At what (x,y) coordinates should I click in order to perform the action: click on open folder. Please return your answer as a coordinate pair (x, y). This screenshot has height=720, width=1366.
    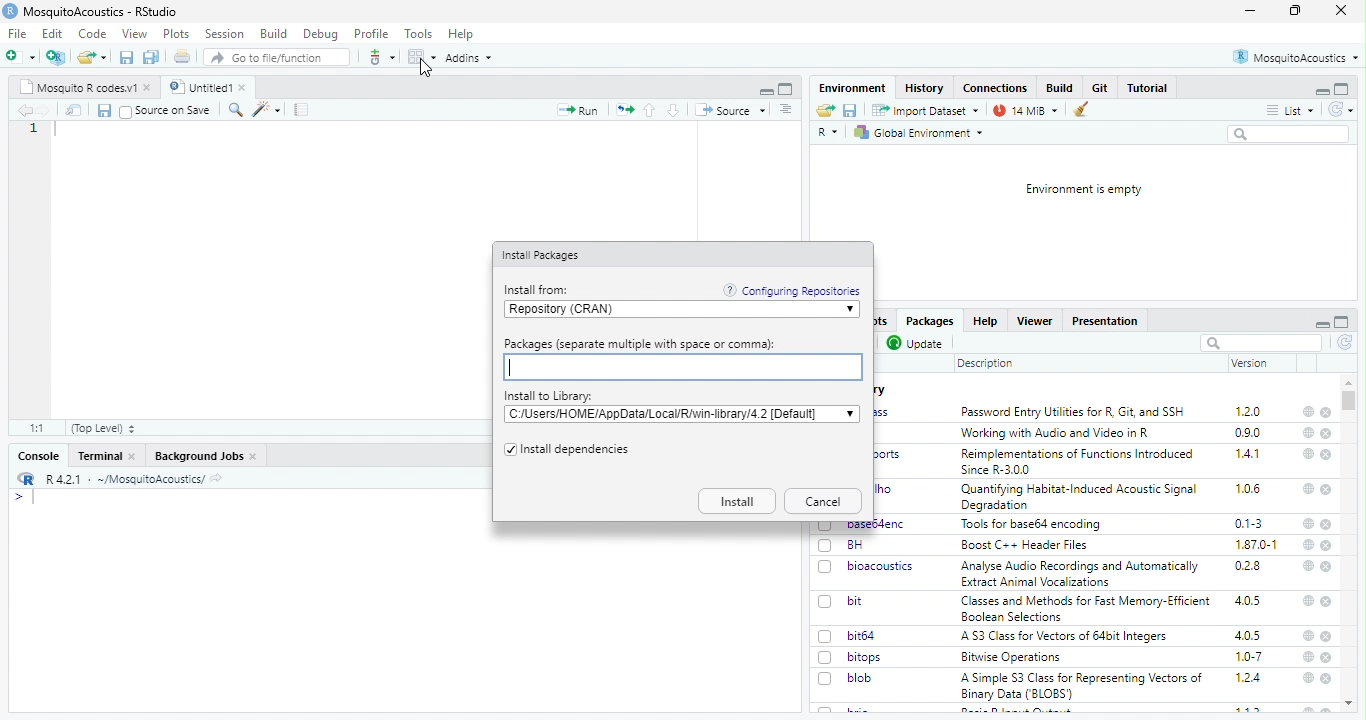
    Looking at the image, I should click on (92, 57).